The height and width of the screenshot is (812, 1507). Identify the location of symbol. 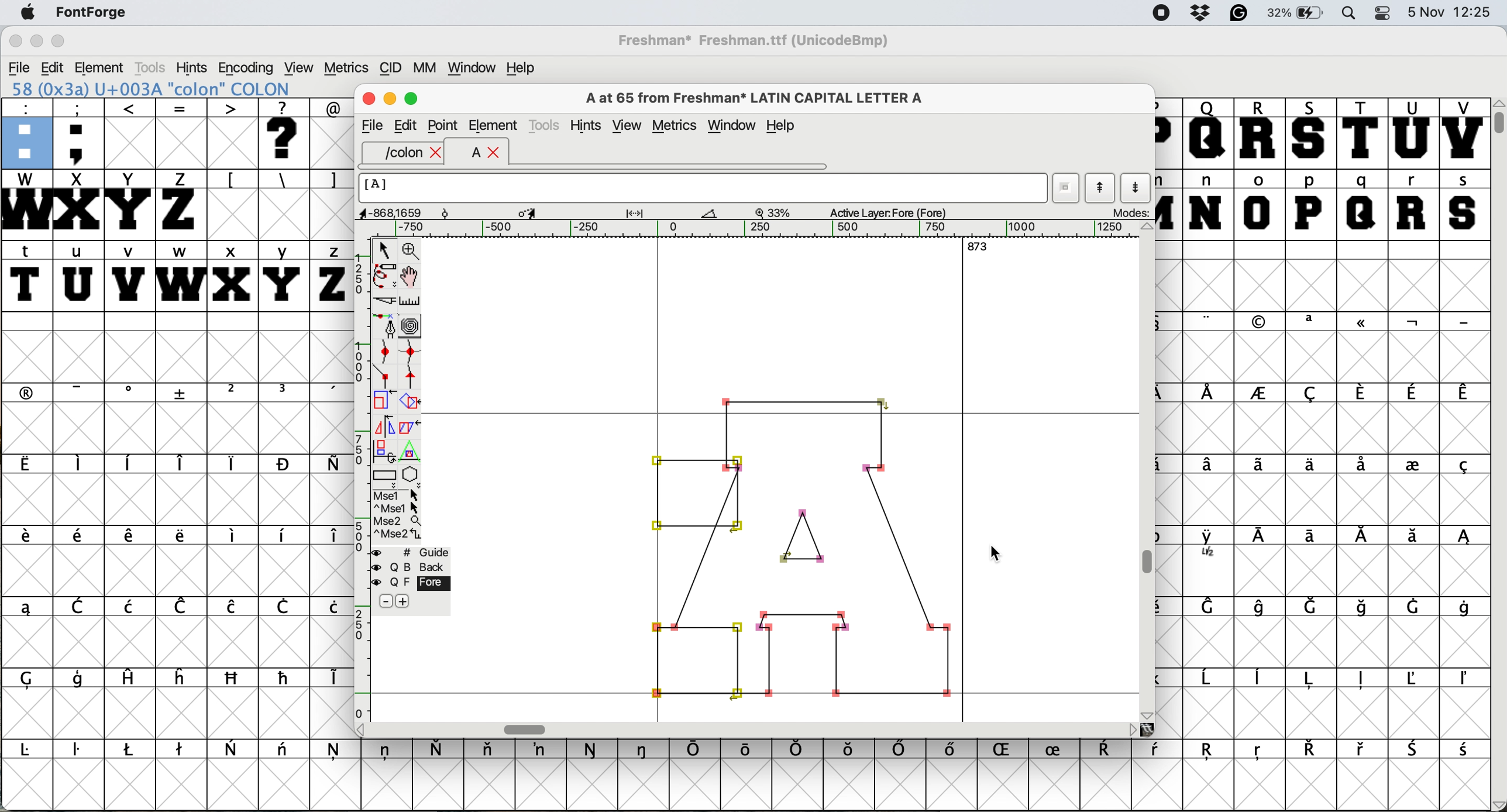
(330, 465).